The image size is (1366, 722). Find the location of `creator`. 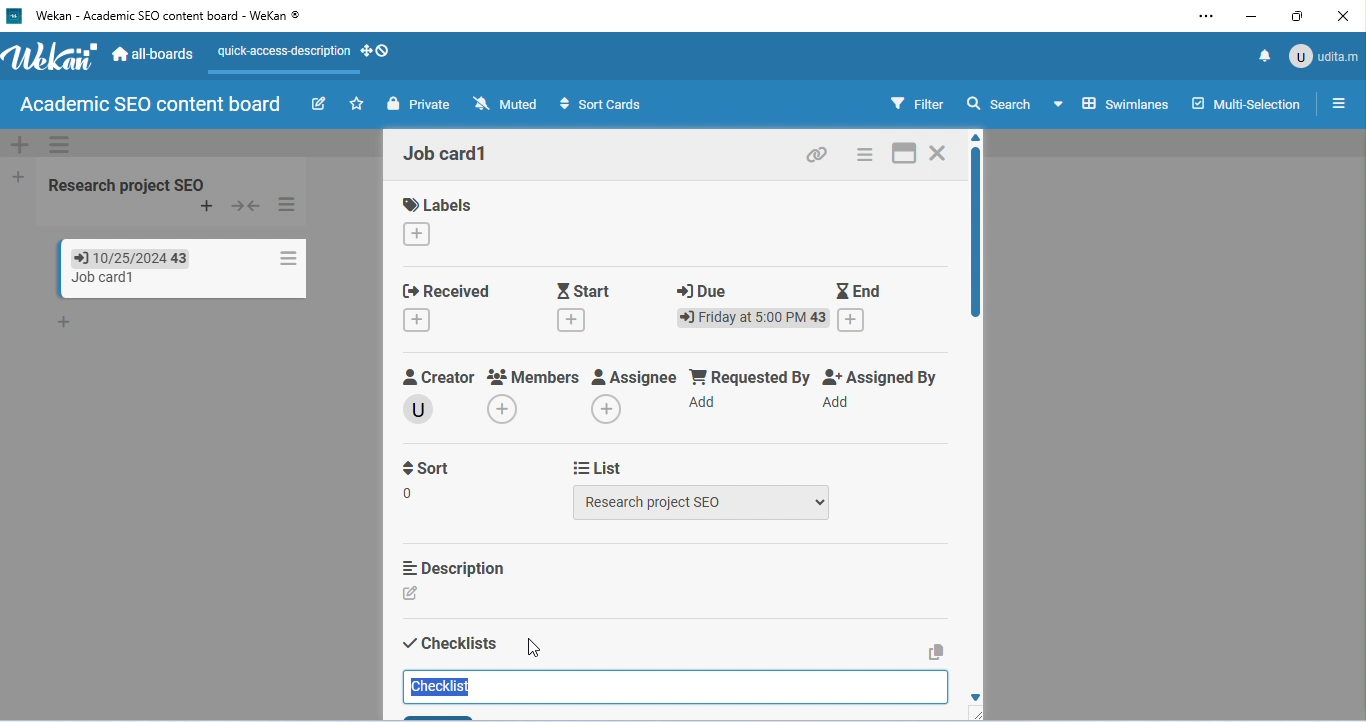

creator is located at coordinates (440, 378).